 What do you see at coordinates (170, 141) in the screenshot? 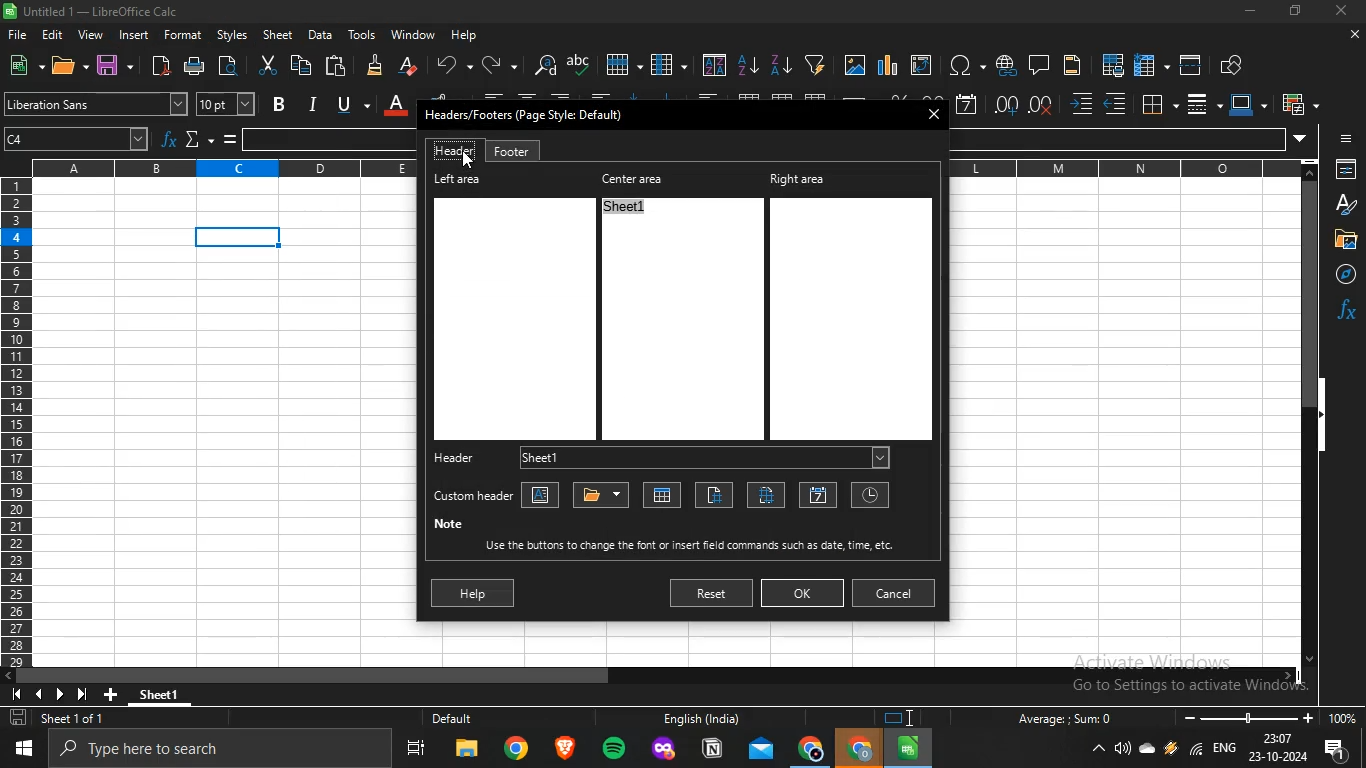
I see `function ` at bounding box center [170, 141].